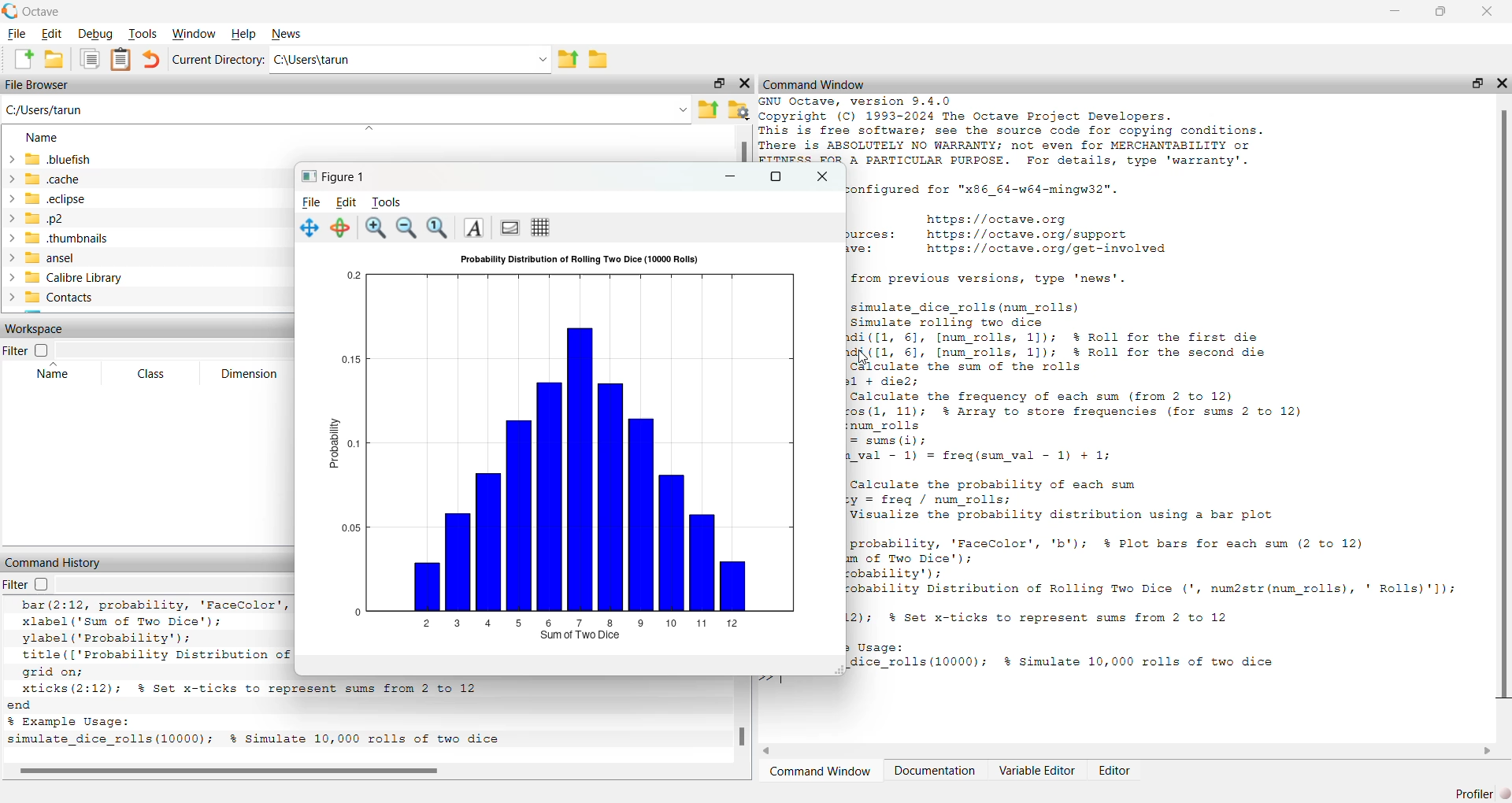 The height and width of the screenshot is (803, 1512). What do you see at coordinates (18, 58) in the screenshot?
I see `add` at bounding box center [18, 58].